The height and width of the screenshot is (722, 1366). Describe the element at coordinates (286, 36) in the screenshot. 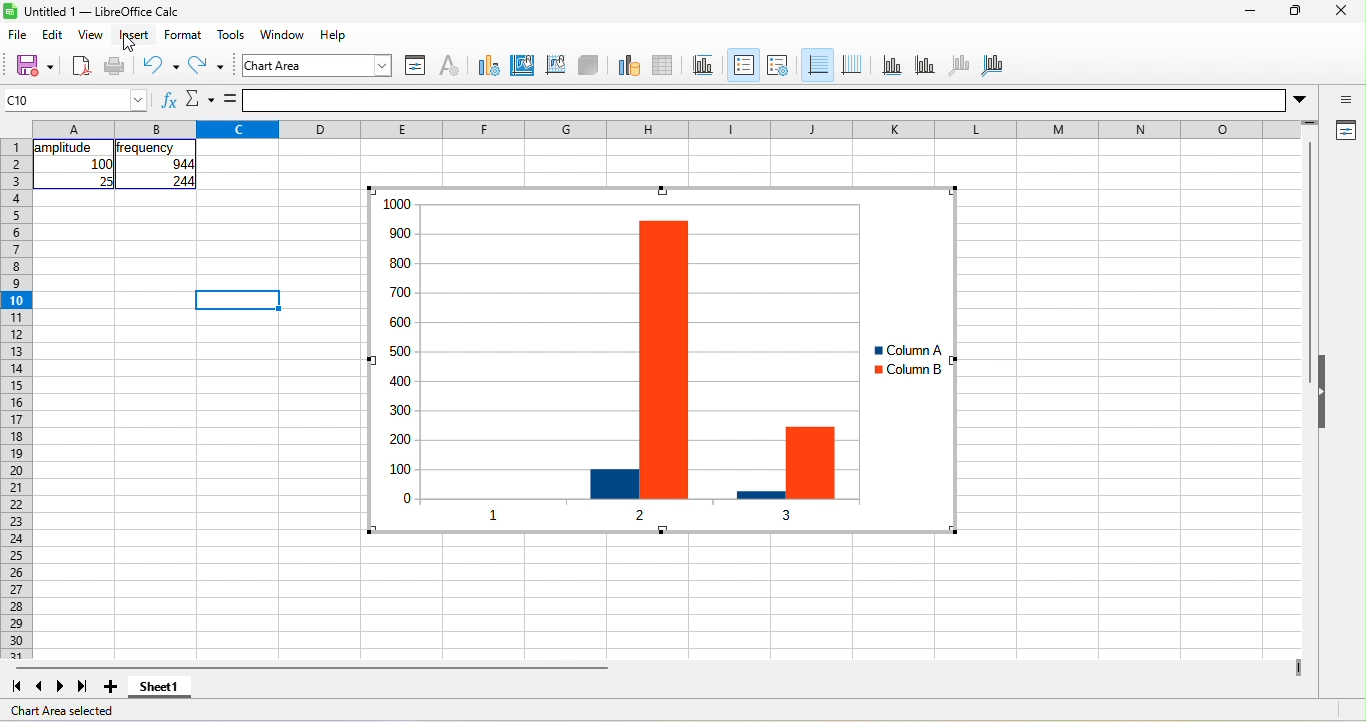

I see `window` at that location.